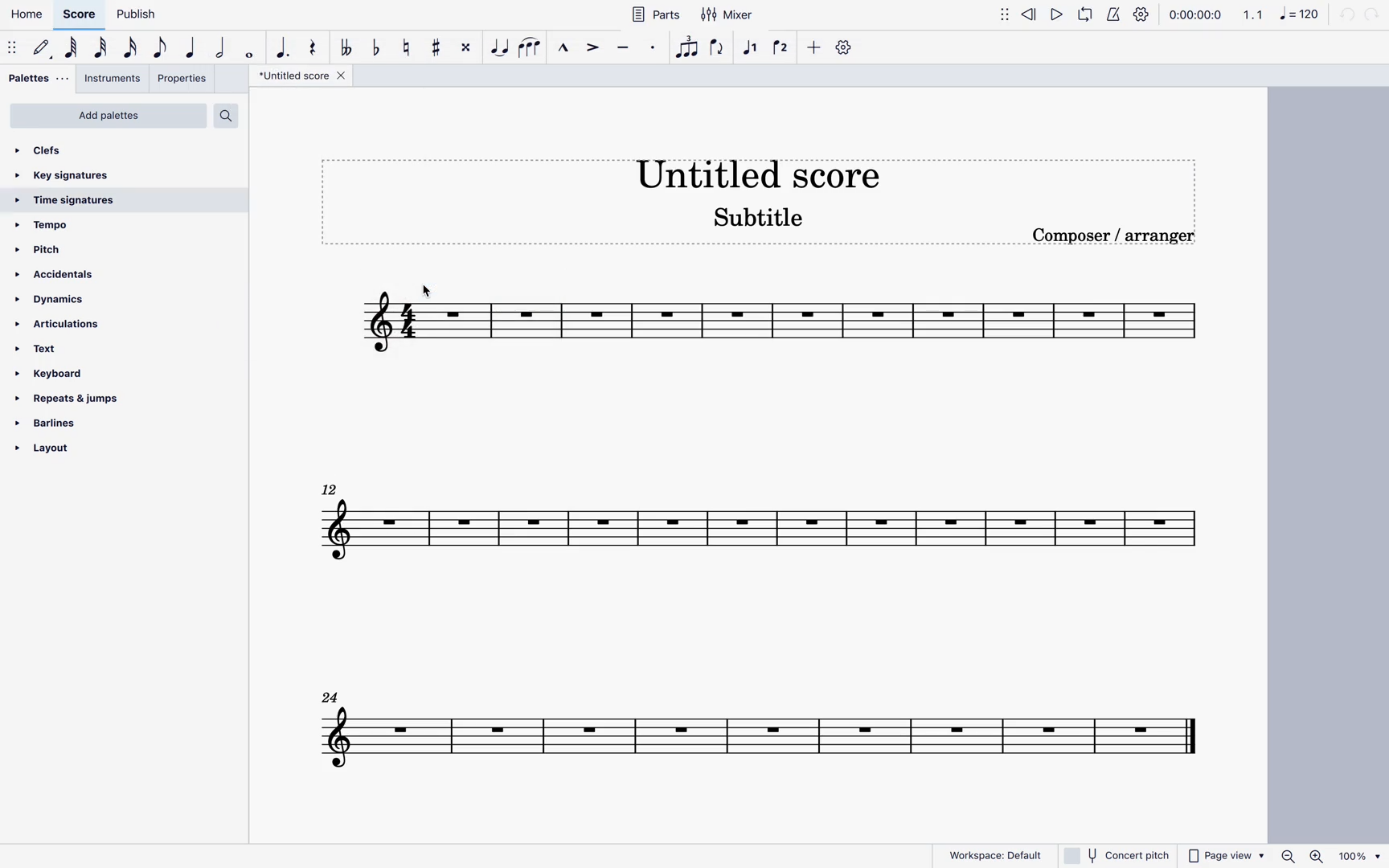  What do you see at coordinates (53, 423) in the screenshot?
I see `barlines` at bounding box center [53, 423].